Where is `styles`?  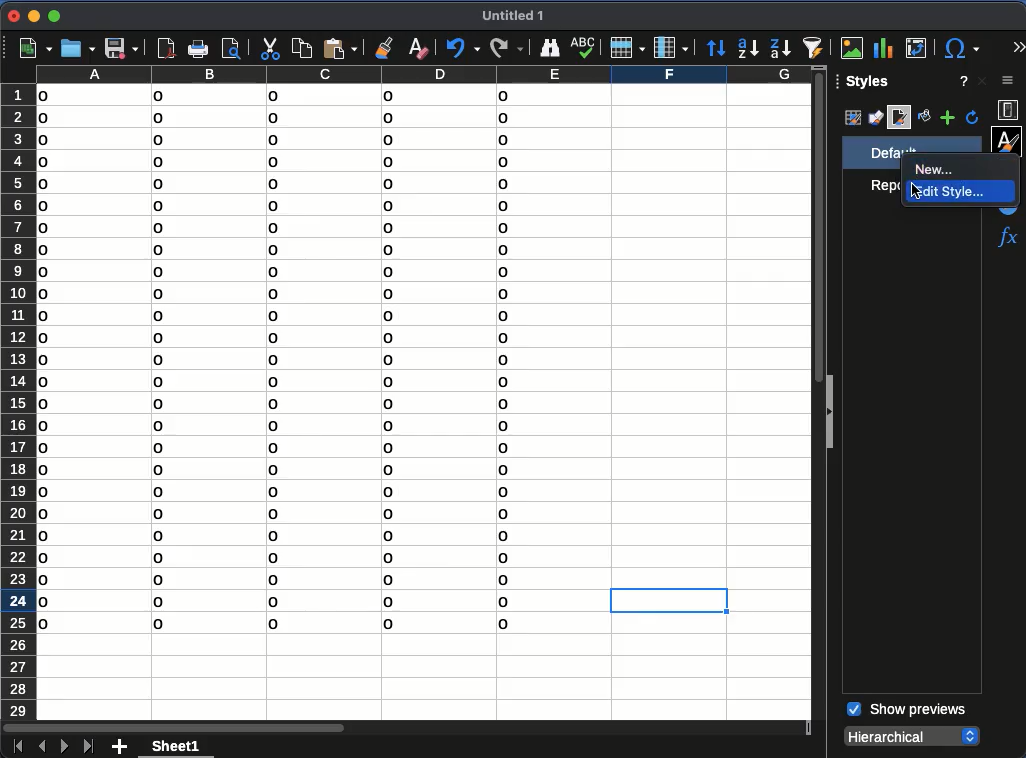
styles is located at coordinates (865, 84).